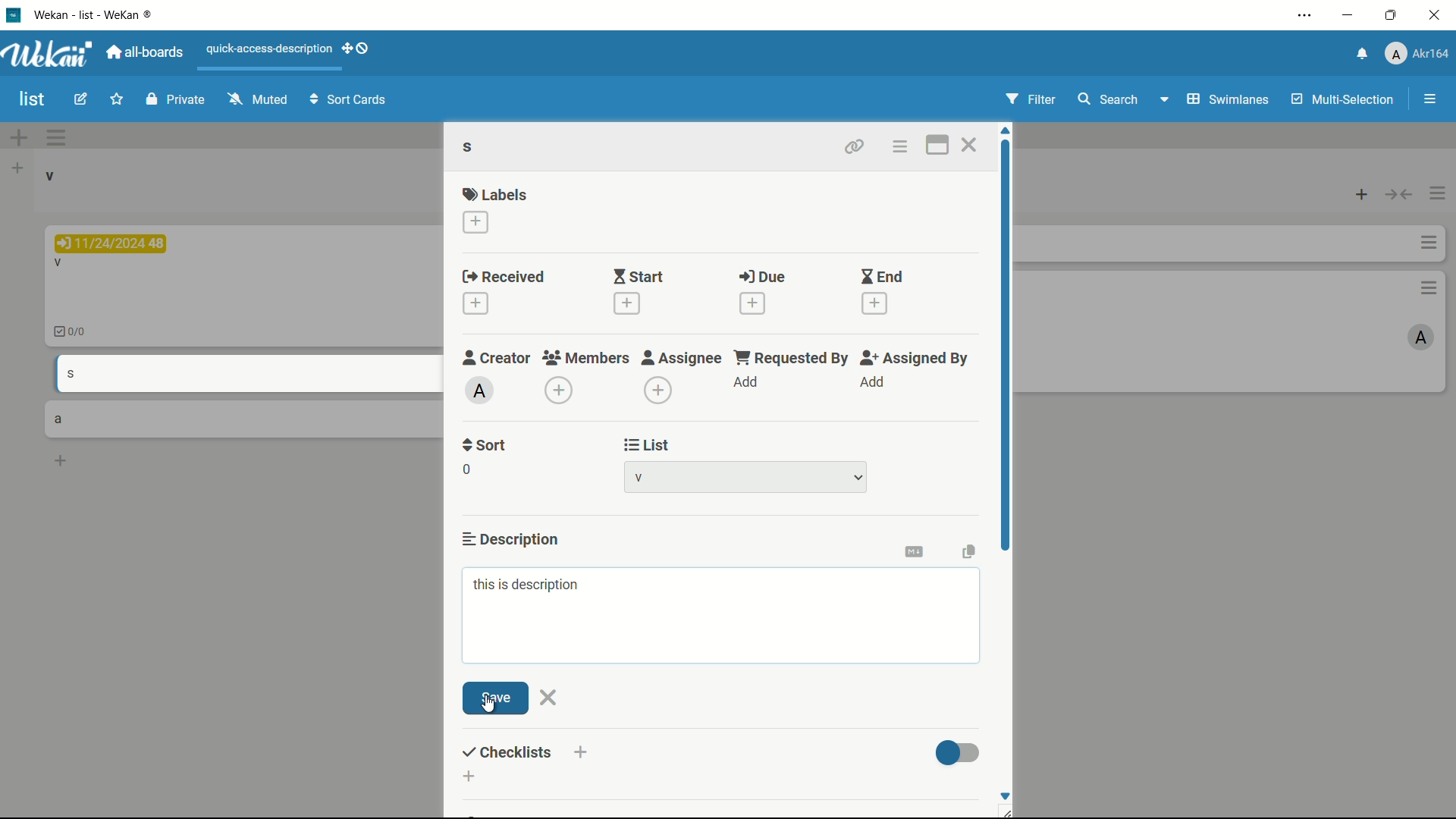 The image size is (1456, 819). I want to click on add, so click(747, 382).